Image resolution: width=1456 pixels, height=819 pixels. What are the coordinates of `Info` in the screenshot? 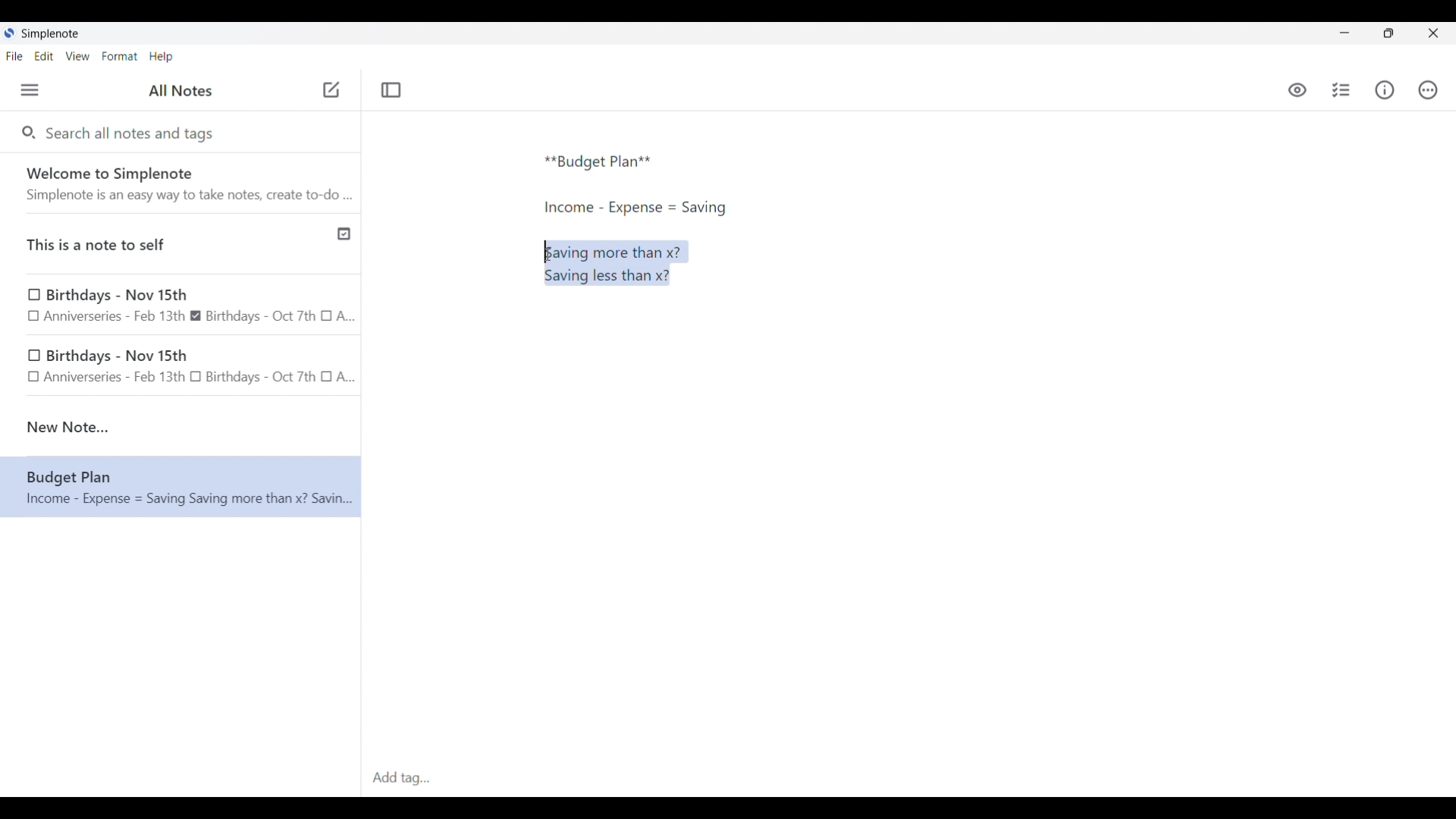 It's located at (1385, 89).